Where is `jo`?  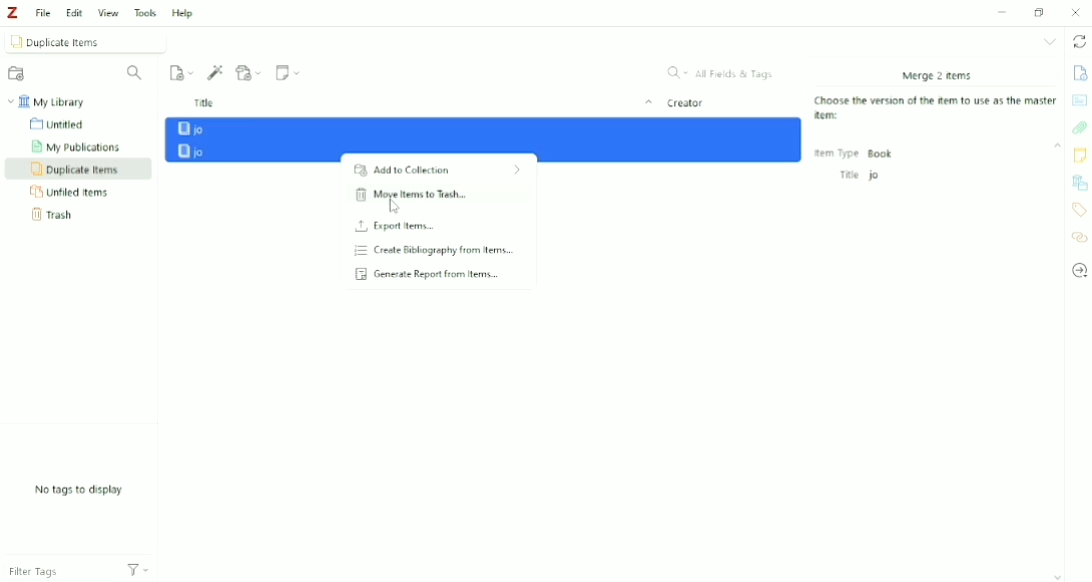 jo is located at coordinates (486, 151).